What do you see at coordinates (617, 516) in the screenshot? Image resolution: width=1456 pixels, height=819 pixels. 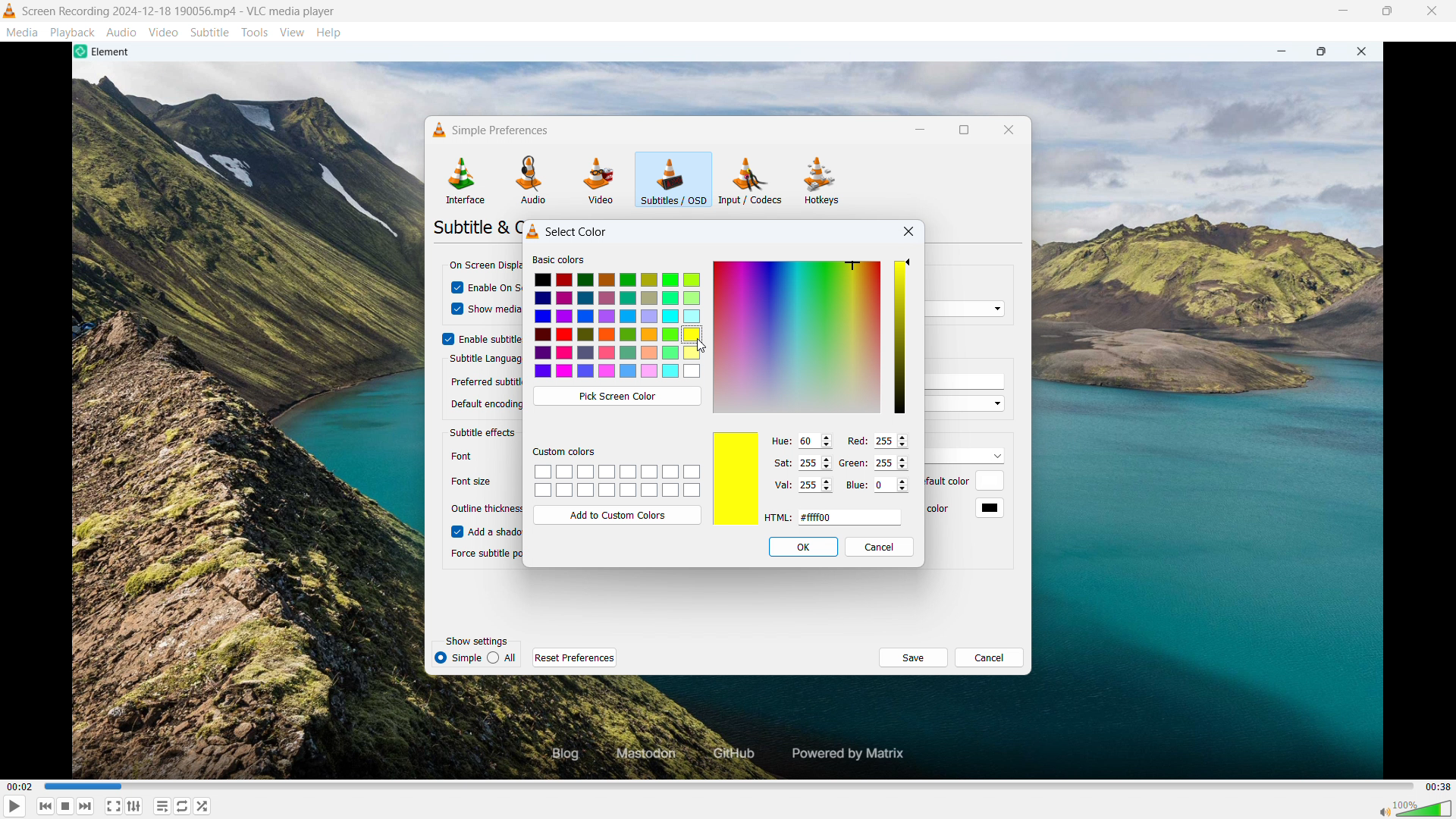 I see `Add to custom colours ` at bounding box center [617, 516].